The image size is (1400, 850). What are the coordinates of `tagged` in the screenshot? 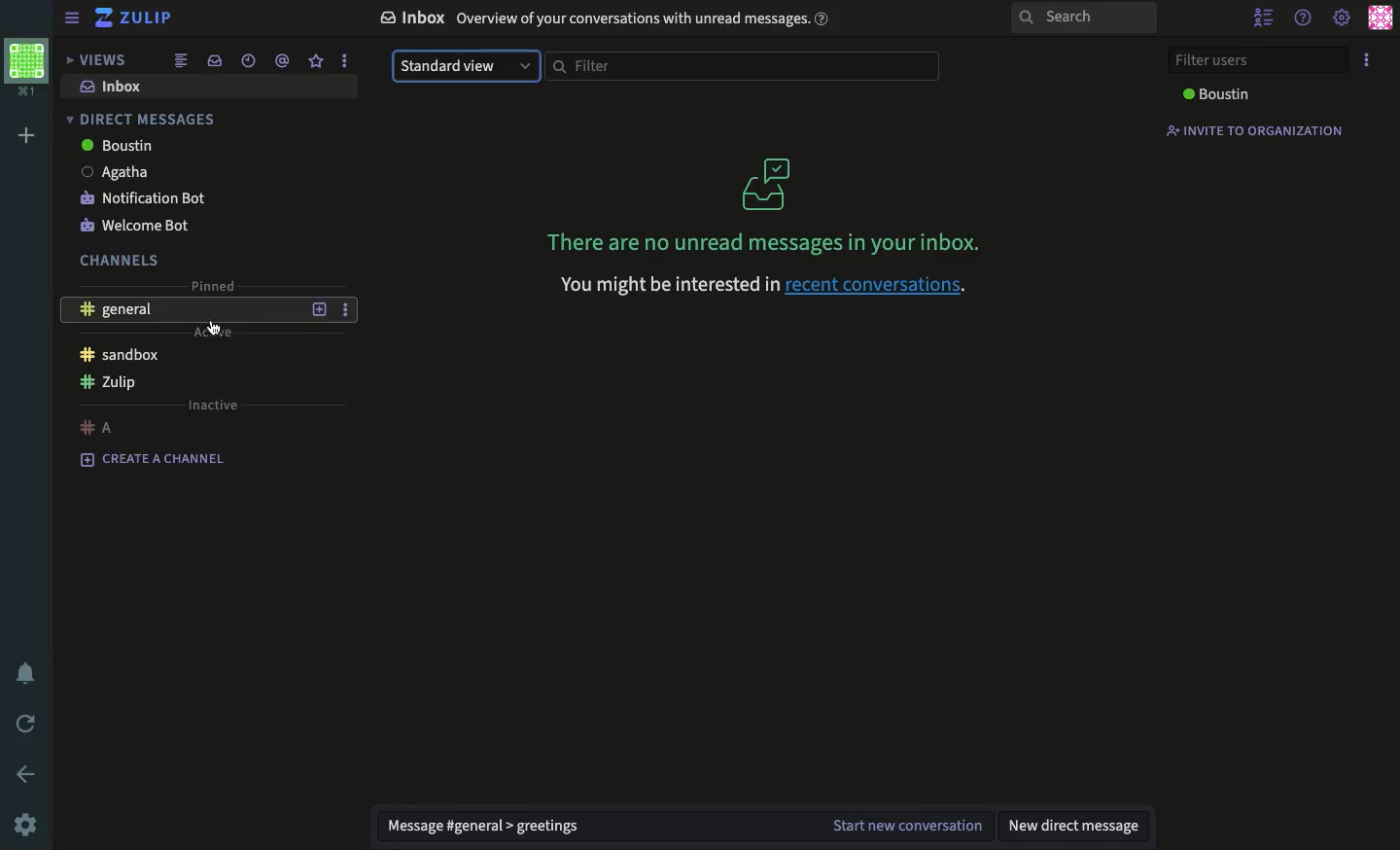 It's located at (281, 60).